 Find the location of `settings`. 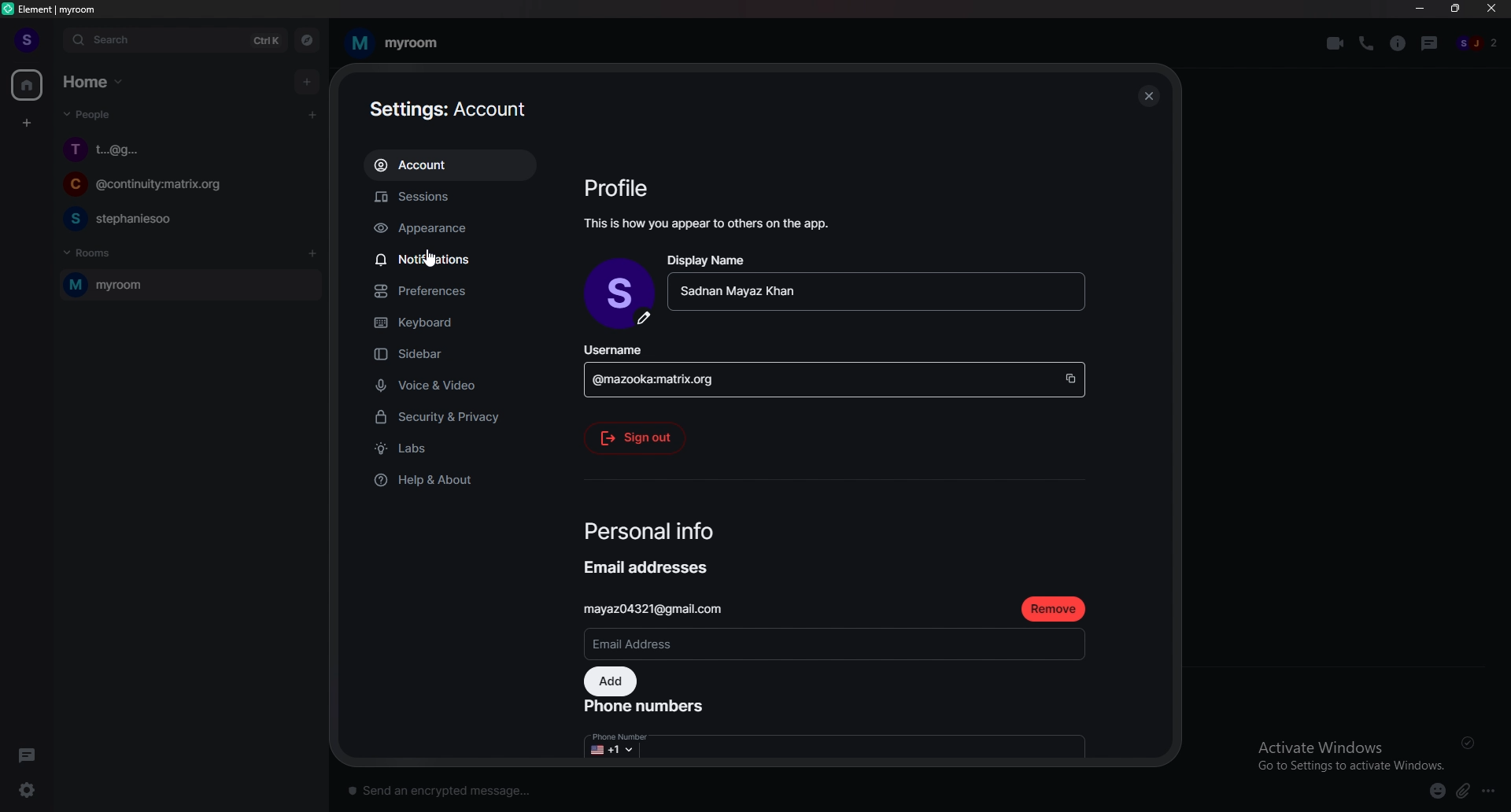

settings is located at coordinates (25, 790).